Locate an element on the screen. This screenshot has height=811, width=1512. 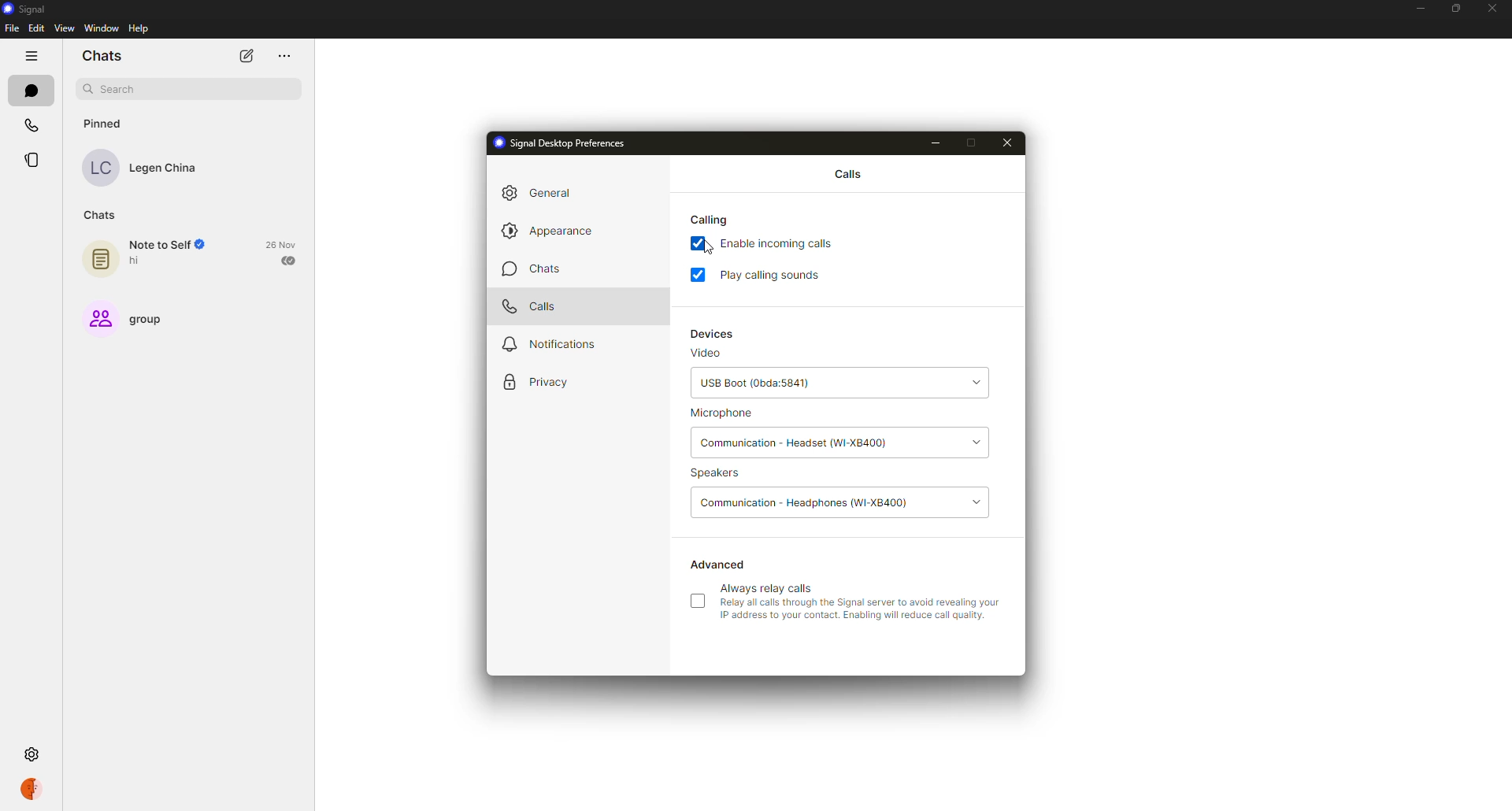
minimize is located at coordinates (1419, 9).